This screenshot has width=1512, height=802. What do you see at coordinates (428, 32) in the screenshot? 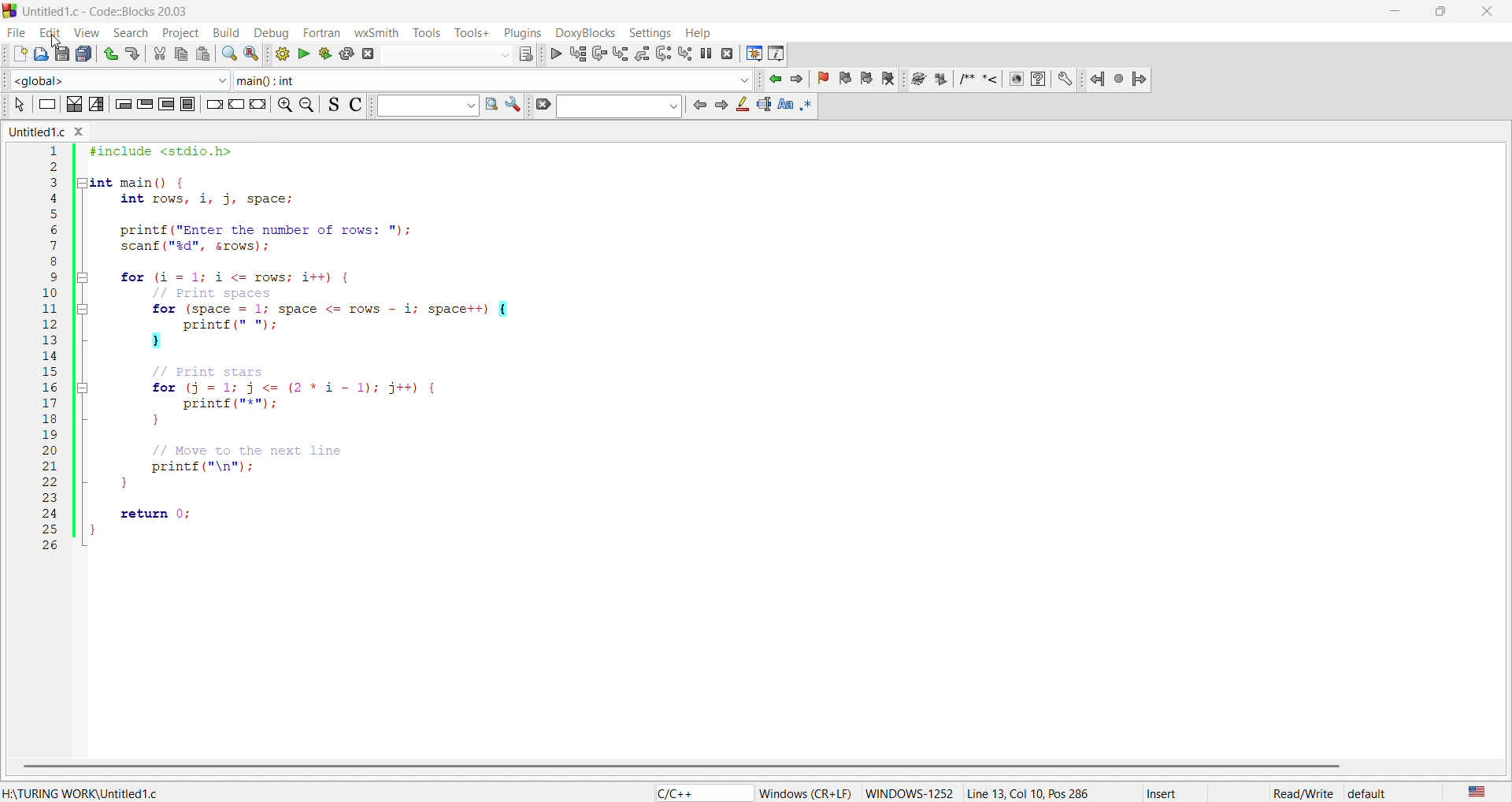
I see `tools` at bounding box center [428, 32].